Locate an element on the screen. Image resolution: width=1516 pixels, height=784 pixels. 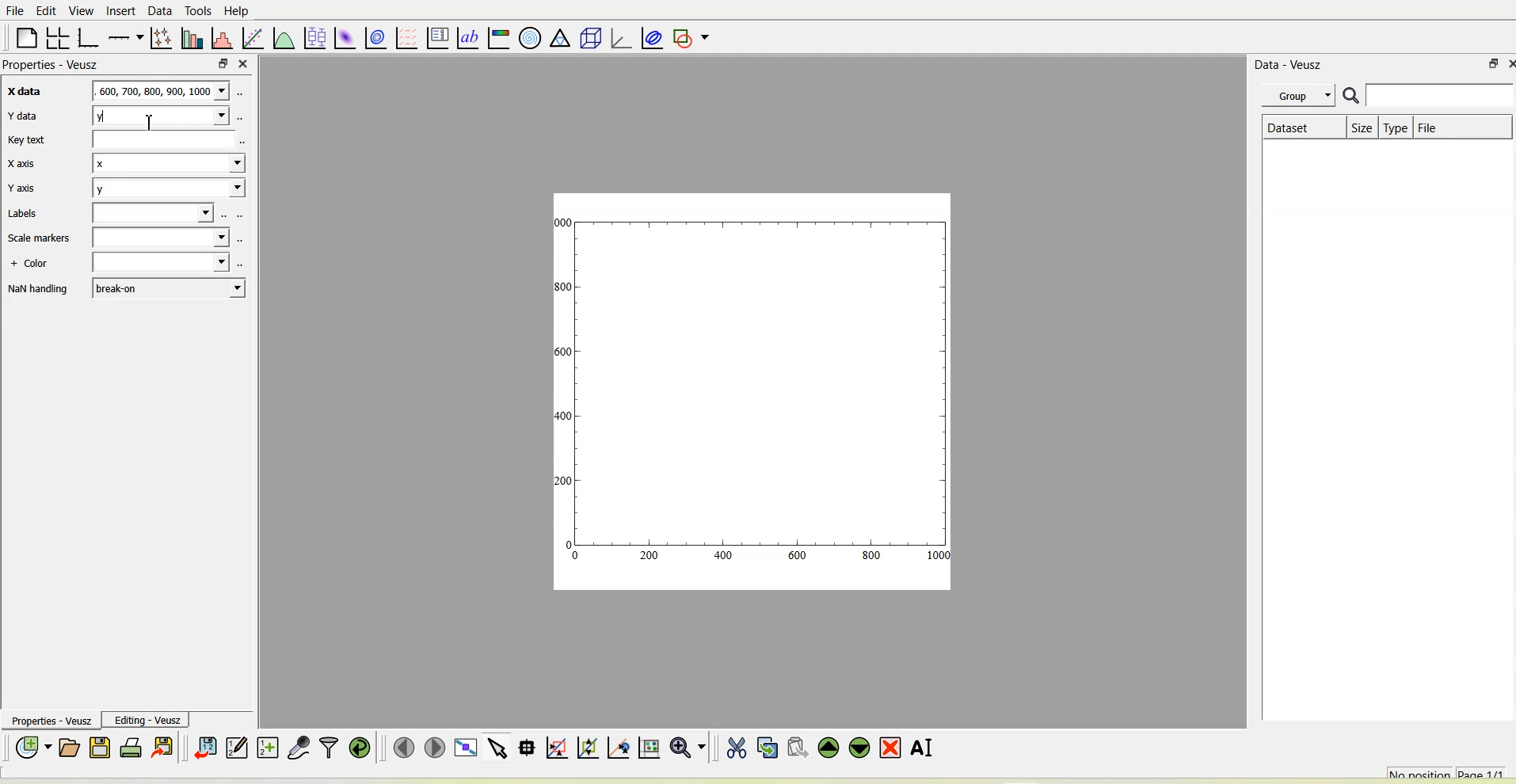
Add a shape to the plot is located at coordinates (689, 36).